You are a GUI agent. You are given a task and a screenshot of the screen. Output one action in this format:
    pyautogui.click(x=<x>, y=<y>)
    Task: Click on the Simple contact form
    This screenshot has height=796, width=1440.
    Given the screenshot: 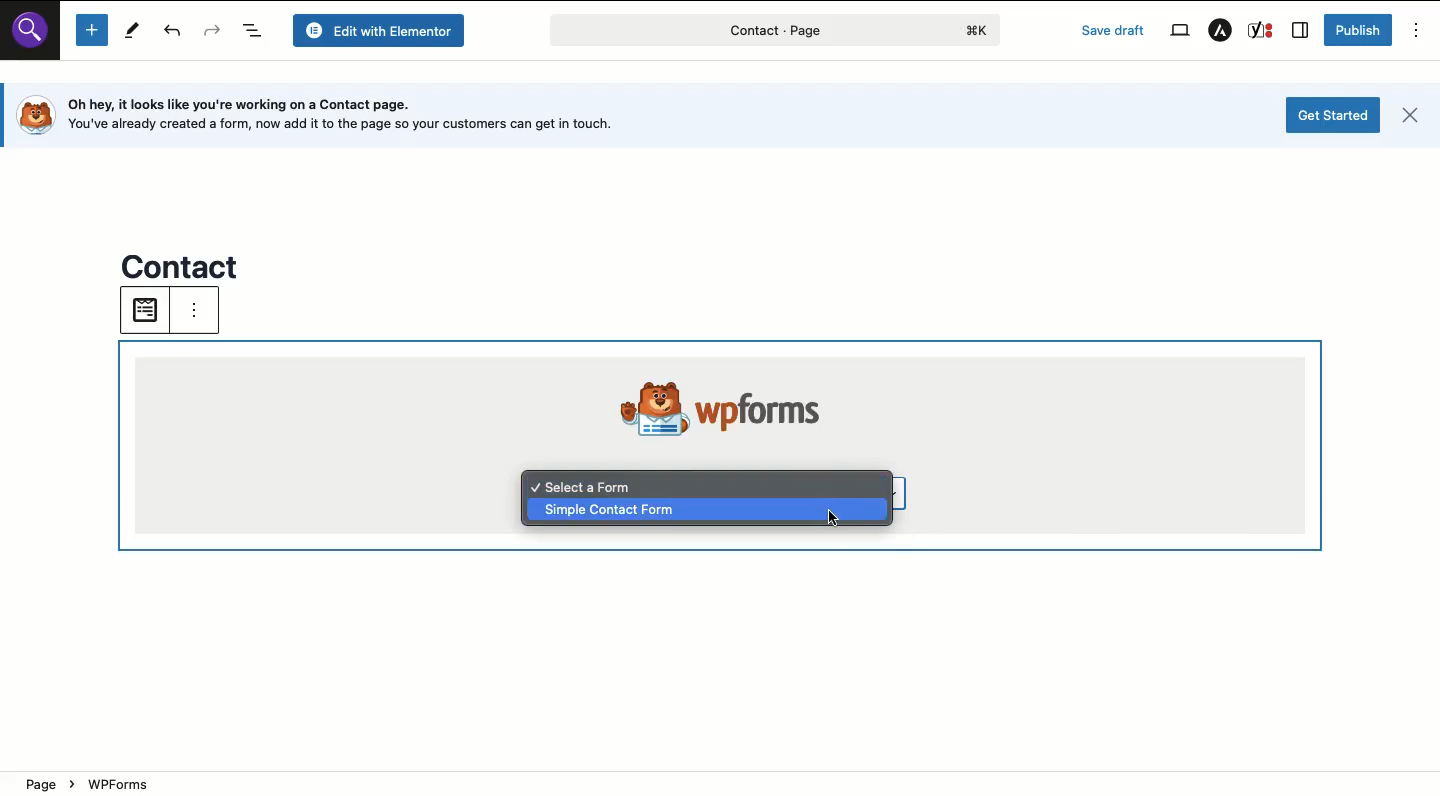 What is the action you would take?
    pyautogui.click(x=707, y=511)
    